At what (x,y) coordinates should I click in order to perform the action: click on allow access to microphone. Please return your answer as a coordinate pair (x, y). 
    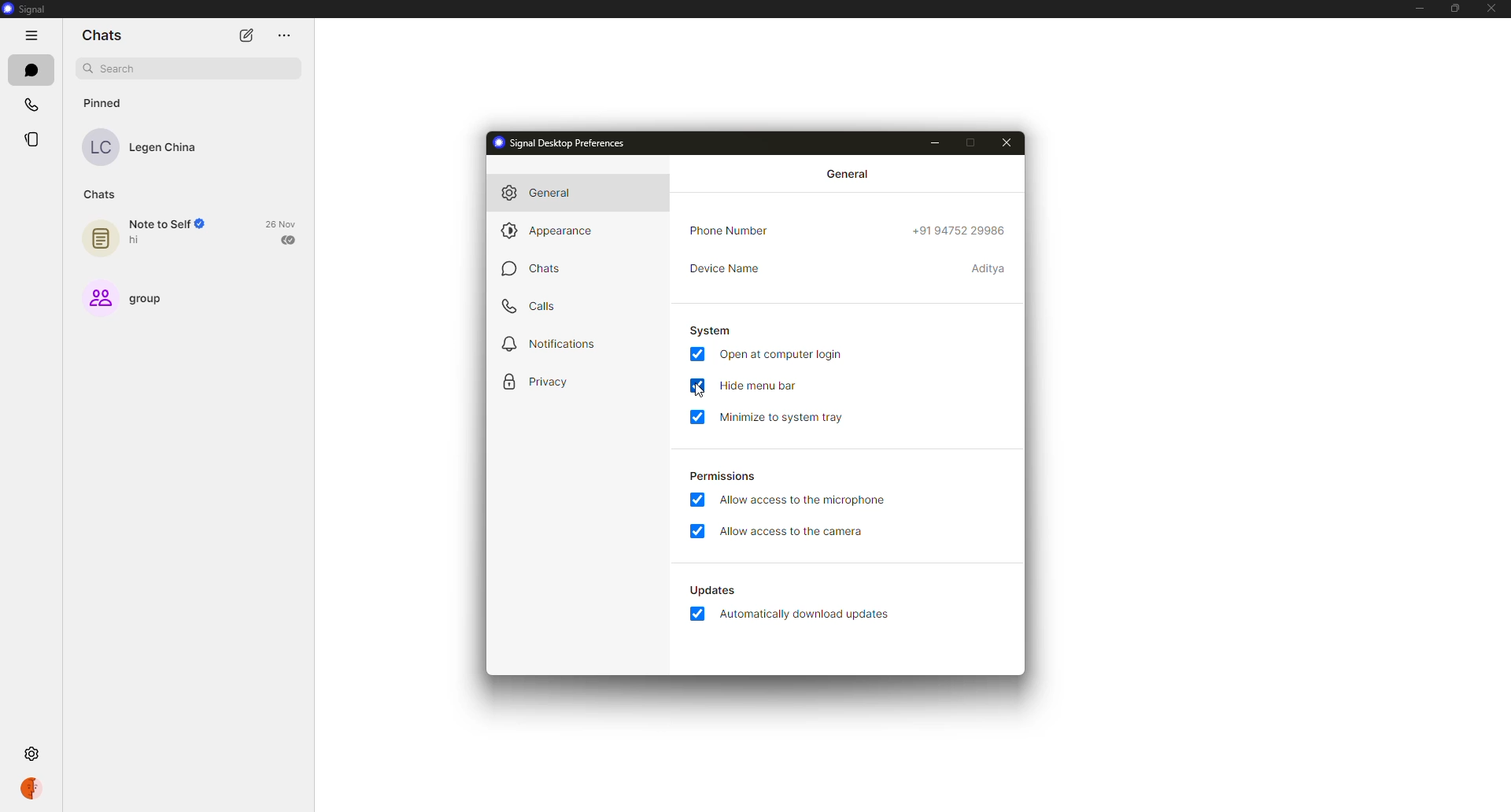
    Looking at the image, I should click on (804, 500).